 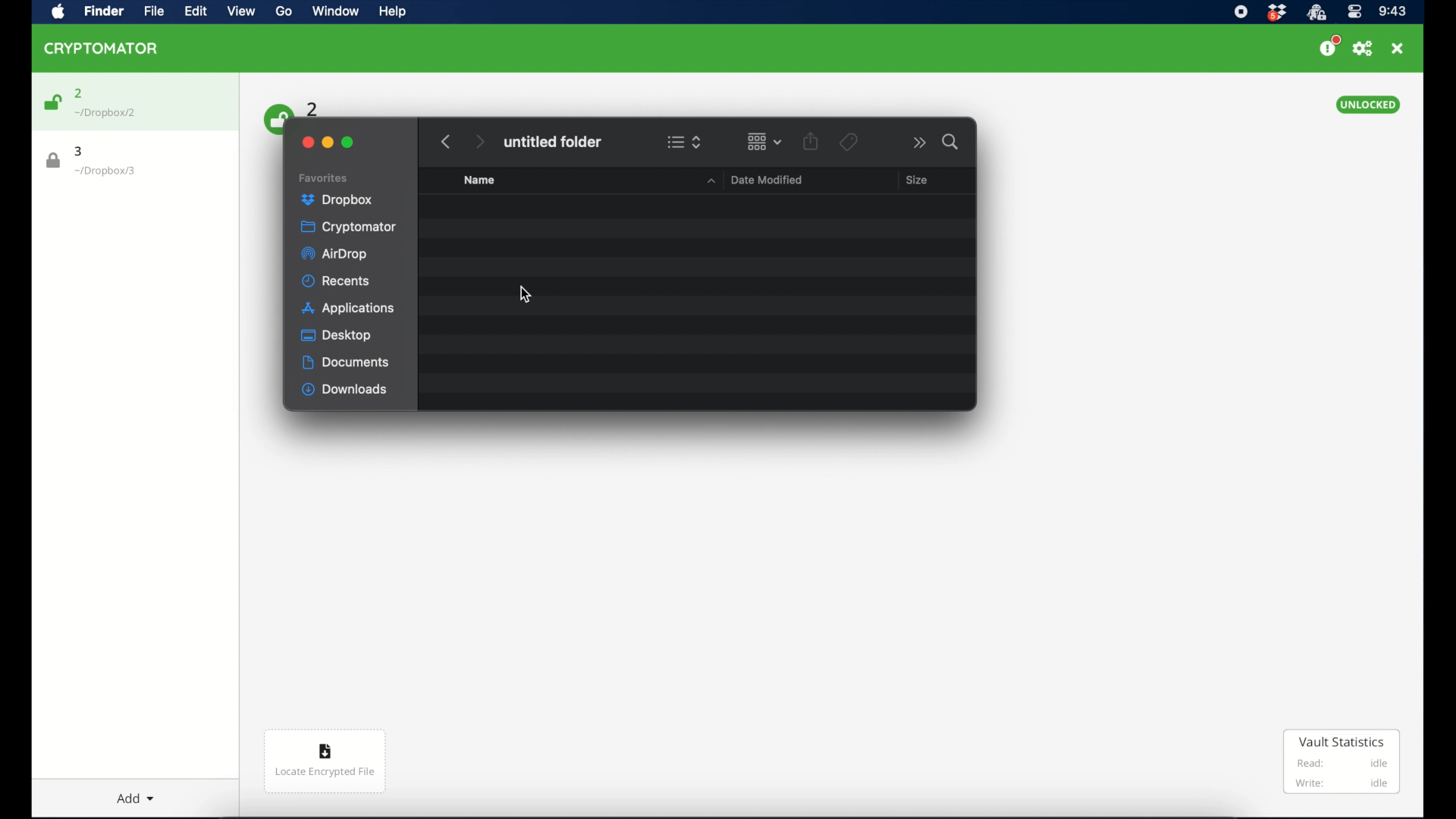 What do you see at coordinates (752, 179) in the screenshot?
I see `date modified` at bounding box center [752, 179].